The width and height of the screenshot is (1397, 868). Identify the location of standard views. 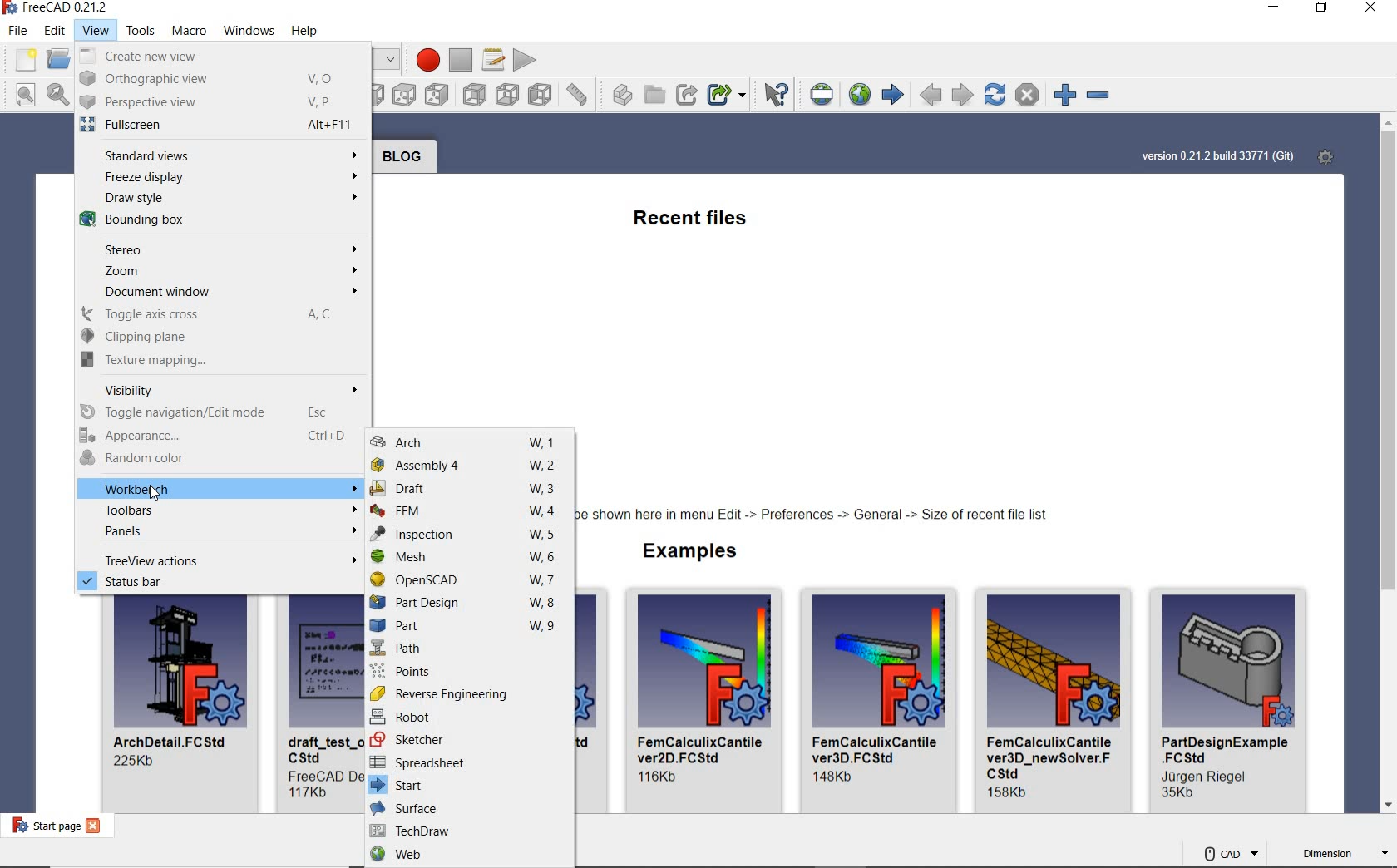
(222, 152).